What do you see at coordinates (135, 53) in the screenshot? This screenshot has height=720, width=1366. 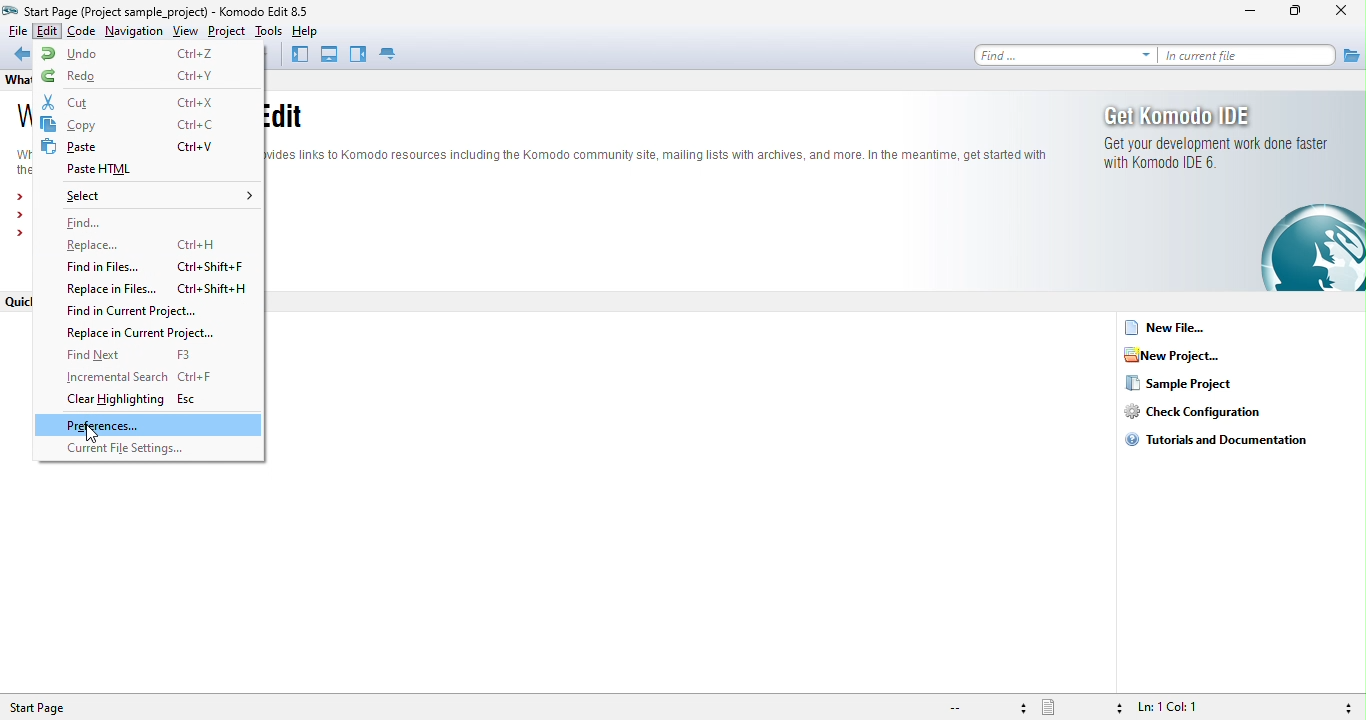 I see `undo` at bounding box center [135, 53].